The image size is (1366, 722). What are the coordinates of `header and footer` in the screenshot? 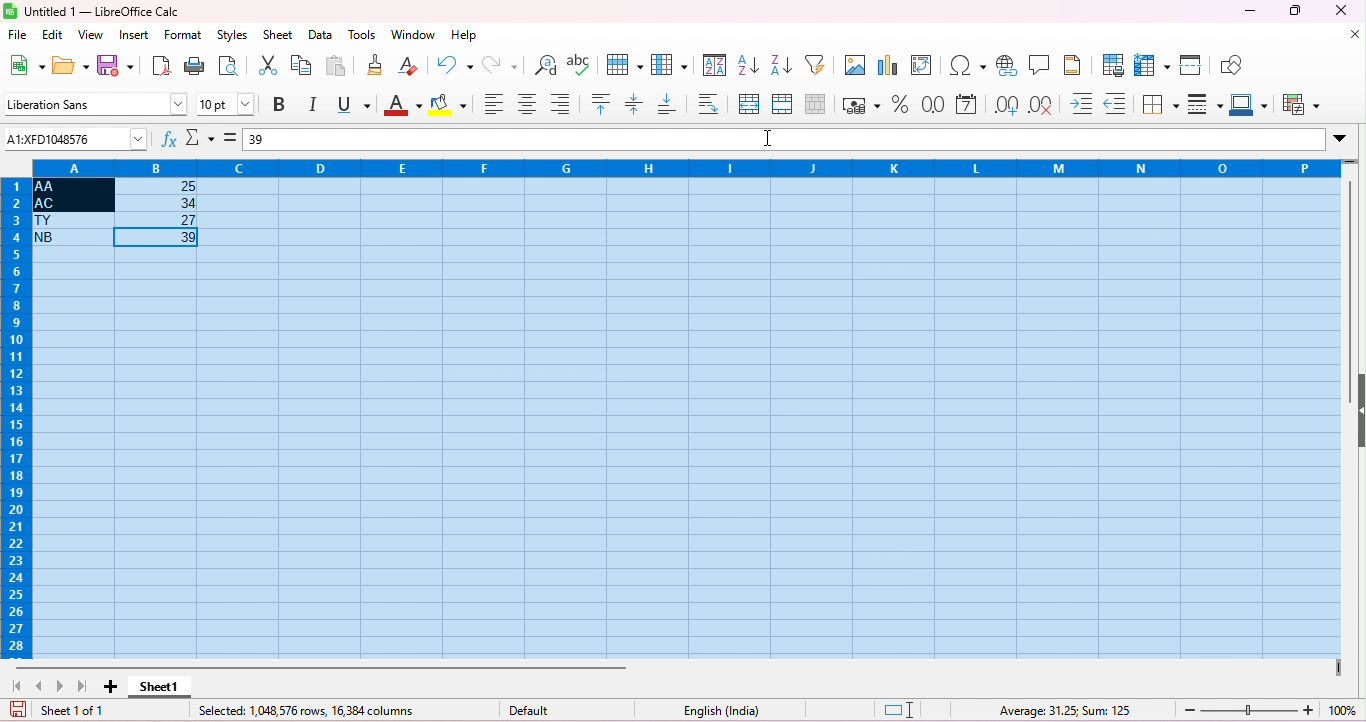 It's located at (1074, 64).